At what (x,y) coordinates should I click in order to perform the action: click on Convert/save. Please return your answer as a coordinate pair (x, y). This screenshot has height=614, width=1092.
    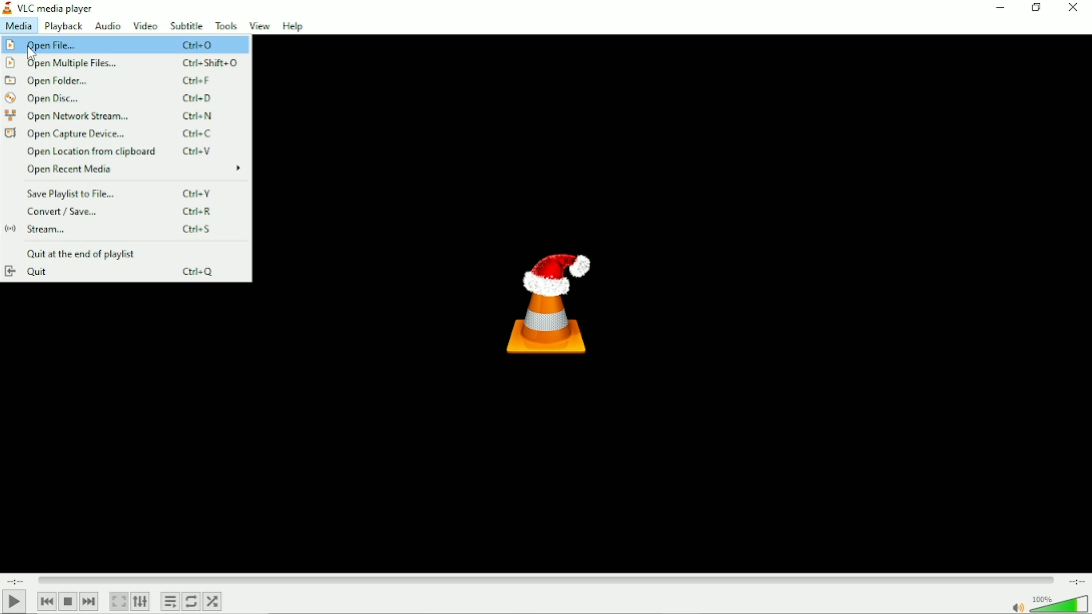
    Looking at the image, I should click on (118, 212).